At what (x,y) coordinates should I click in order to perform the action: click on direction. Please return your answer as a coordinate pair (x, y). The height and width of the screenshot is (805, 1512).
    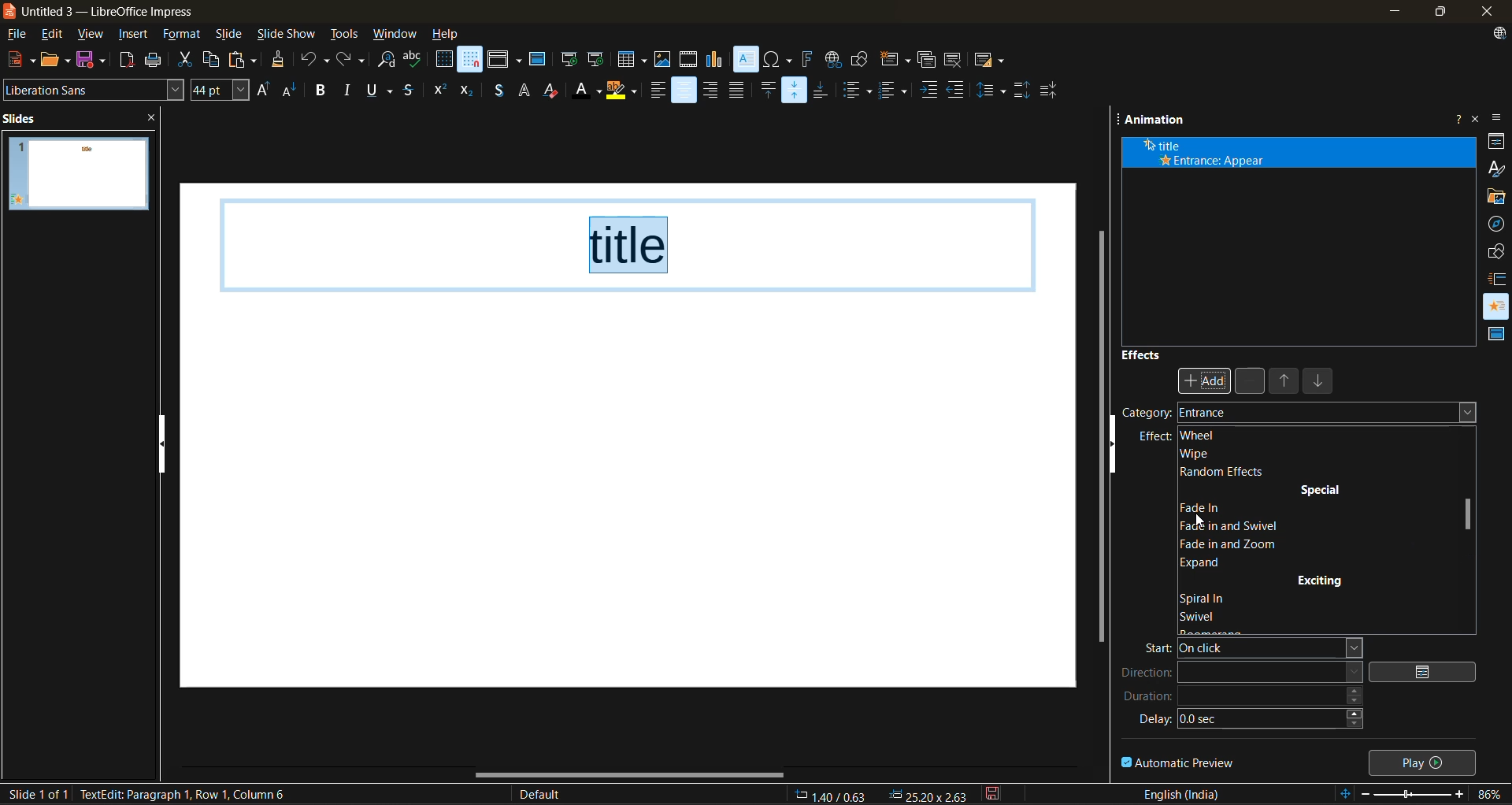
    Looking at the image, I should click on (1241, 675).